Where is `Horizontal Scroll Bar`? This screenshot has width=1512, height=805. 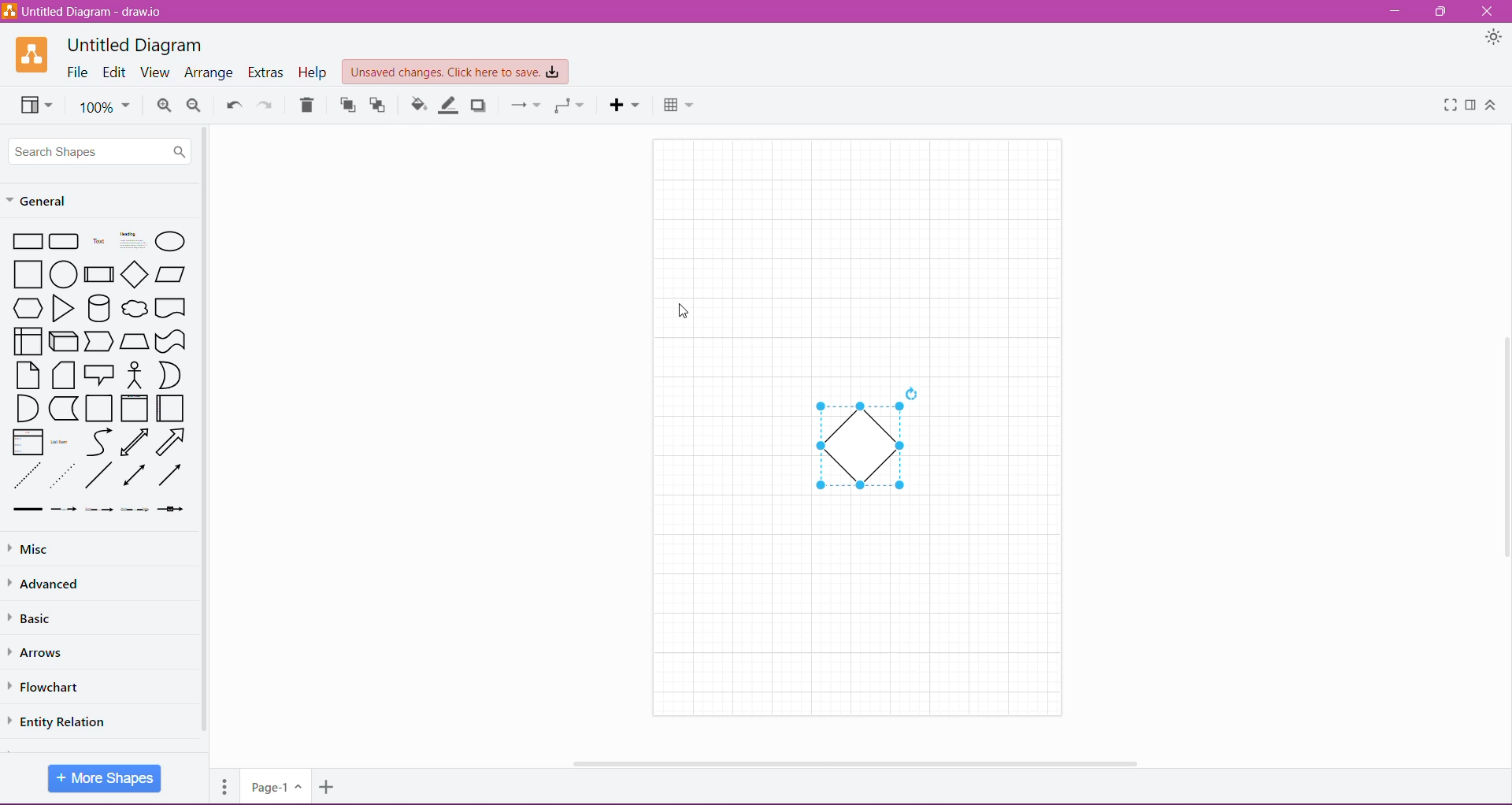 Horizontal Scroll Bar is located at coordinates (853, 762).